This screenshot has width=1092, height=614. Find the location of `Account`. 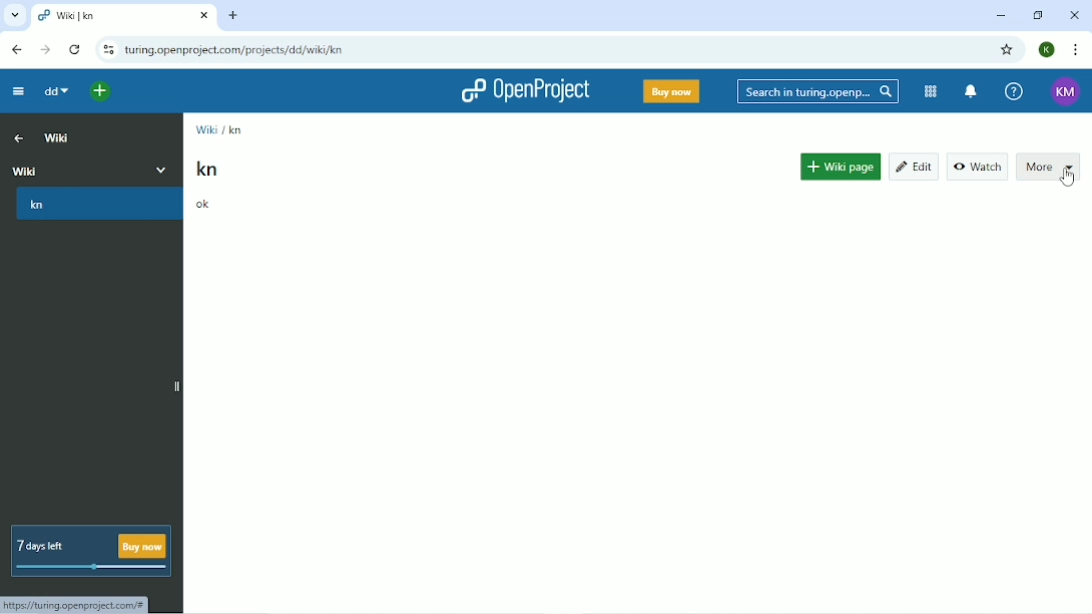

Account is located at coordinates (1047, 50).